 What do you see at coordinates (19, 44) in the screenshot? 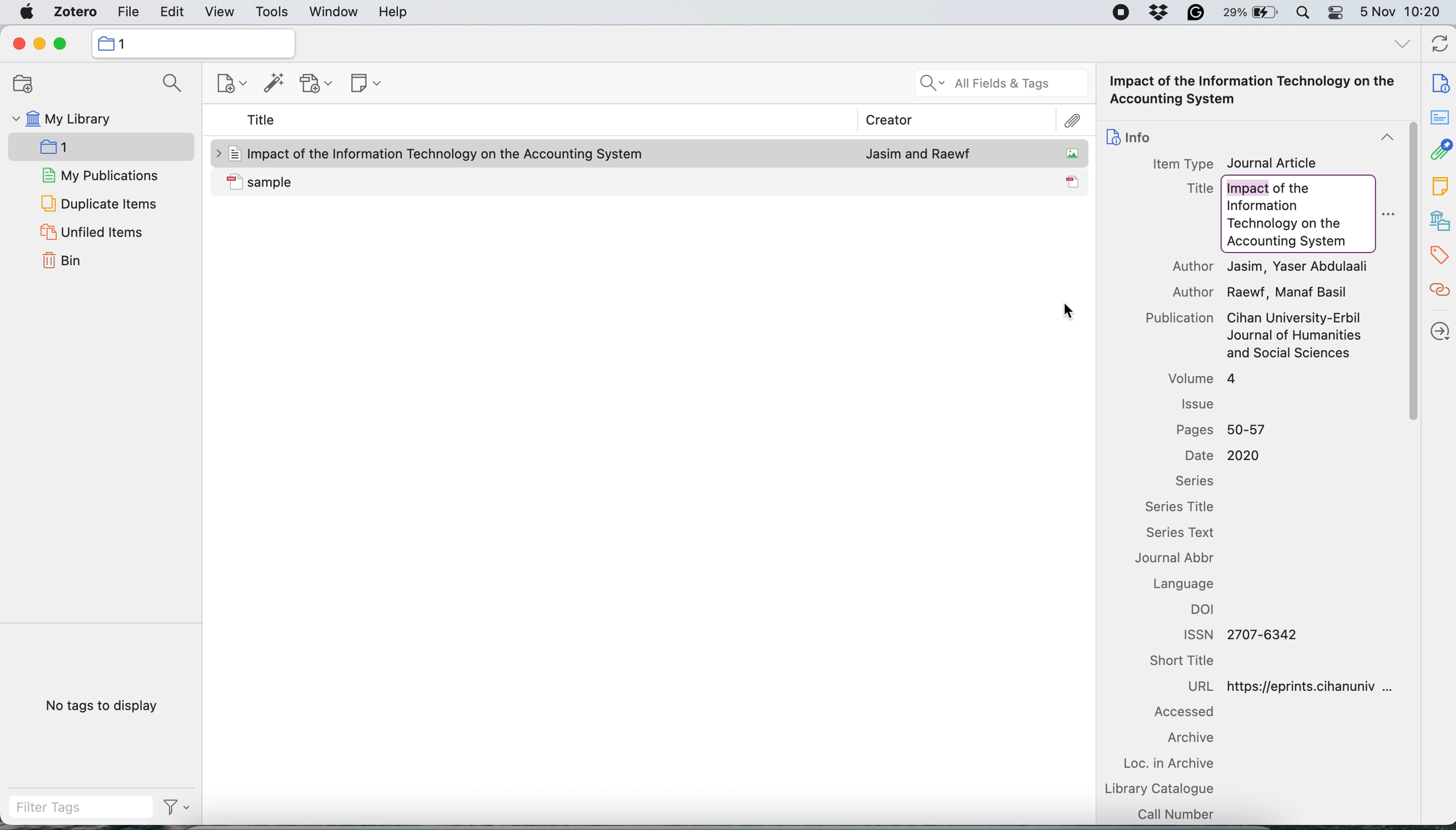
I see `close` at bounding box center [19, 44].